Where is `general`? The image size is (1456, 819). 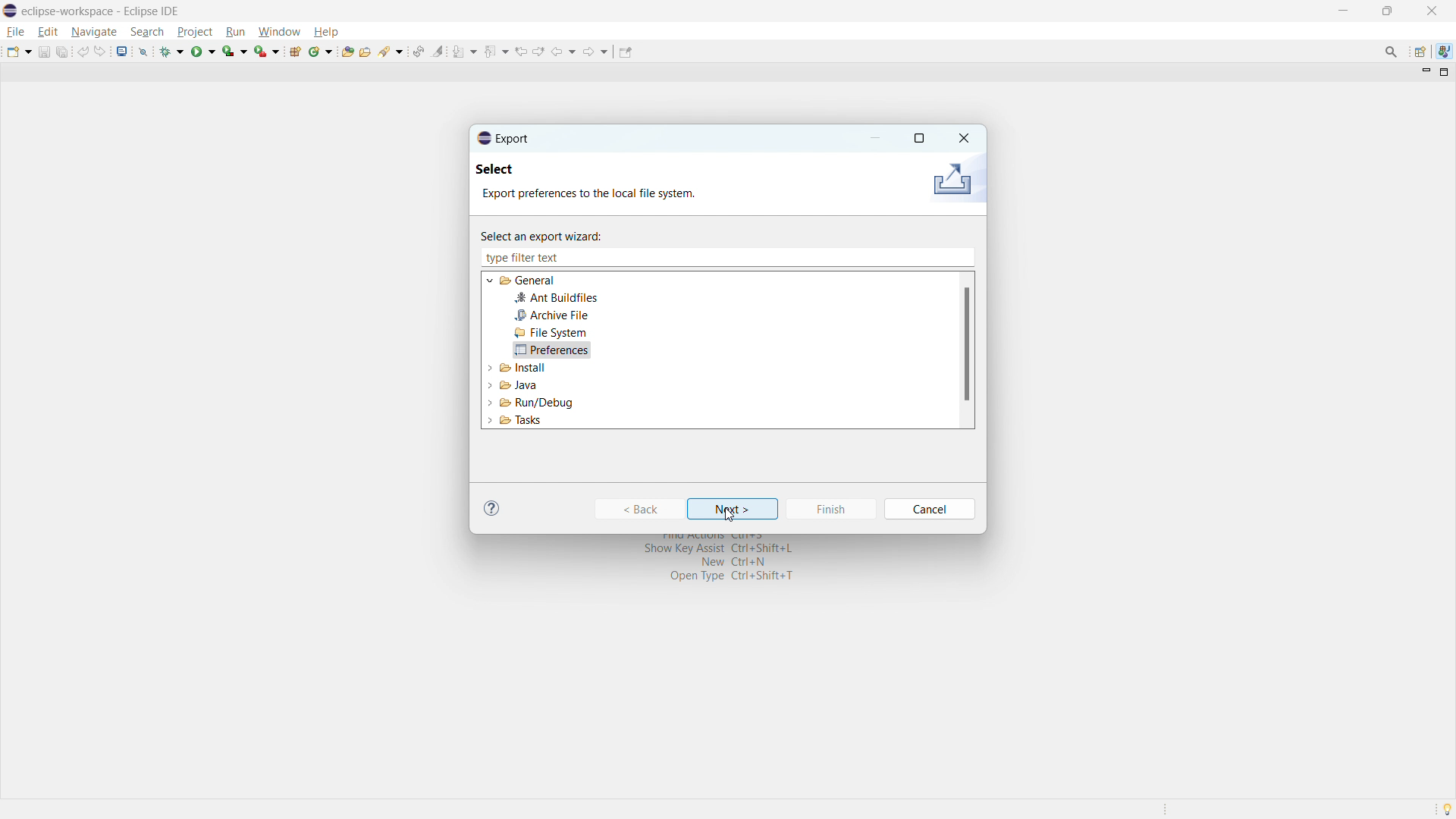
general is located at coordinates (529, 281).